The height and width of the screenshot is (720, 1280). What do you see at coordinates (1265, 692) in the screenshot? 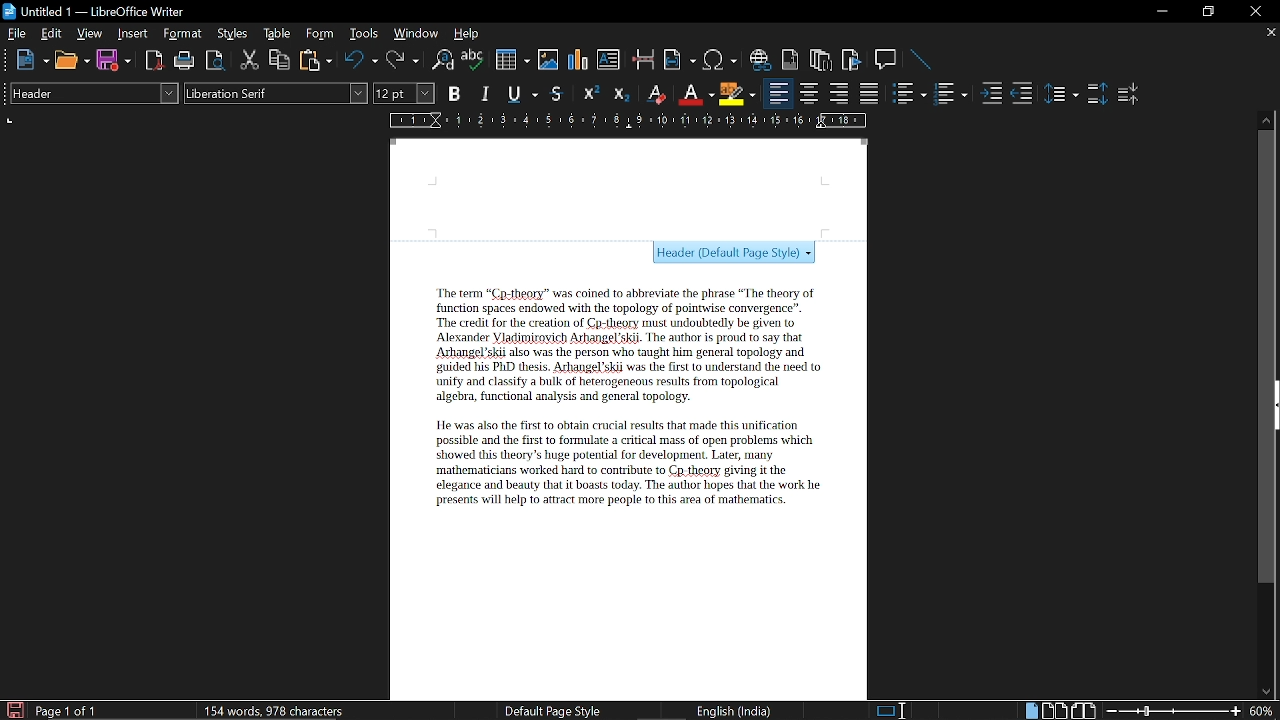
I see `Move down` at bounding box center [1265, 692].